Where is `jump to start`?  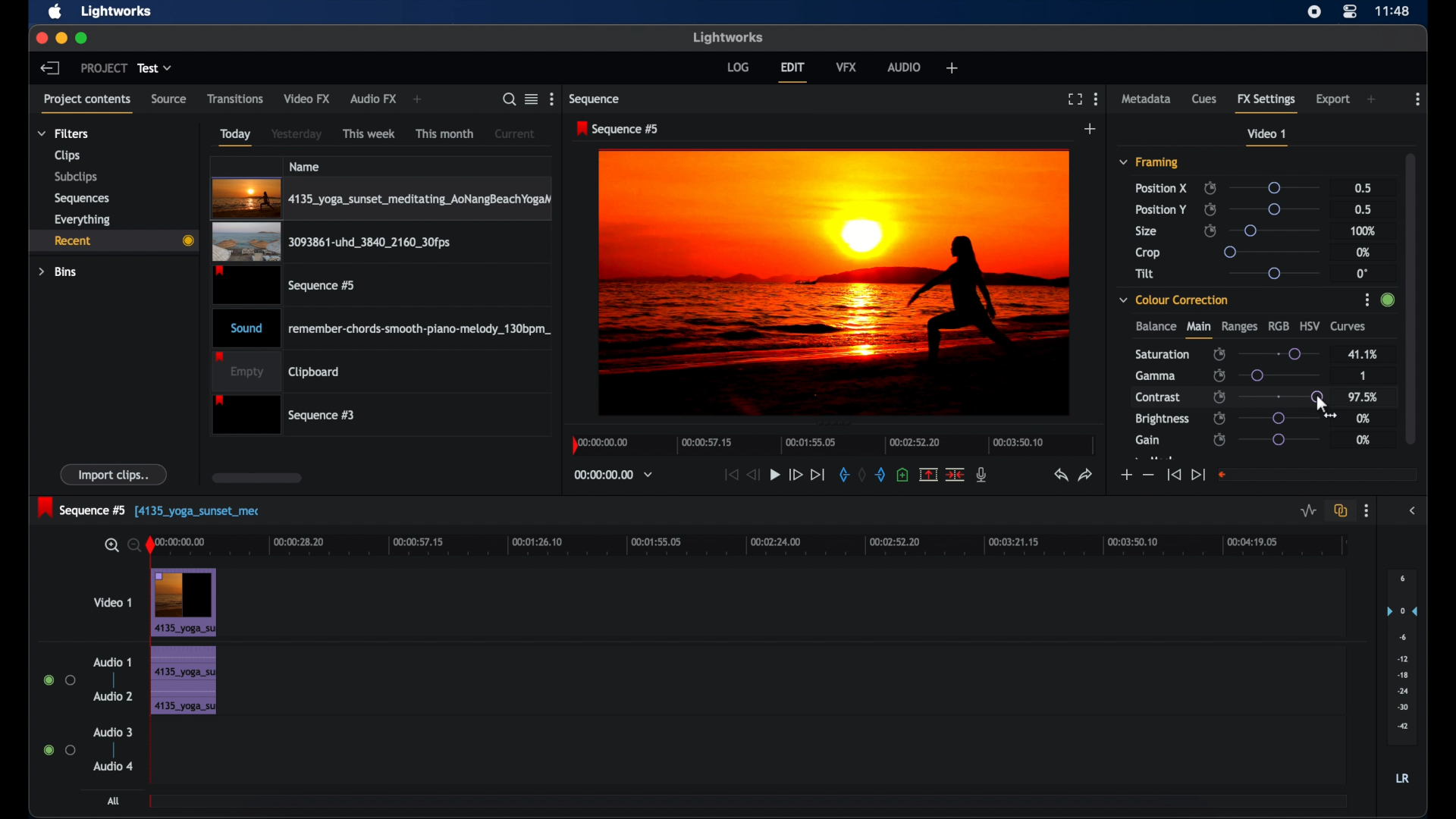 jump to start is located at coordinates (731, 474).